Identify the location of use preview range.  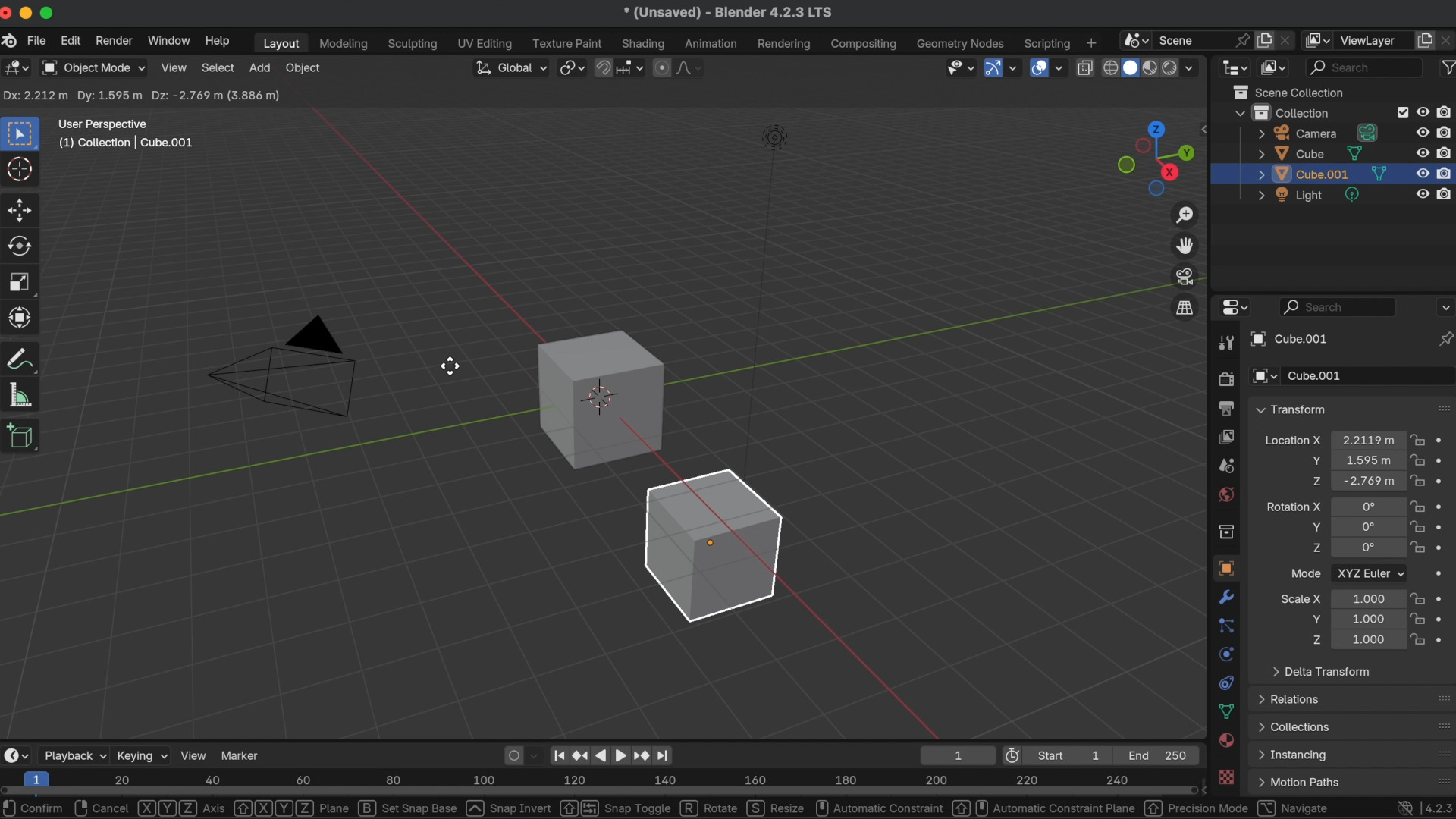
(1015, 755).